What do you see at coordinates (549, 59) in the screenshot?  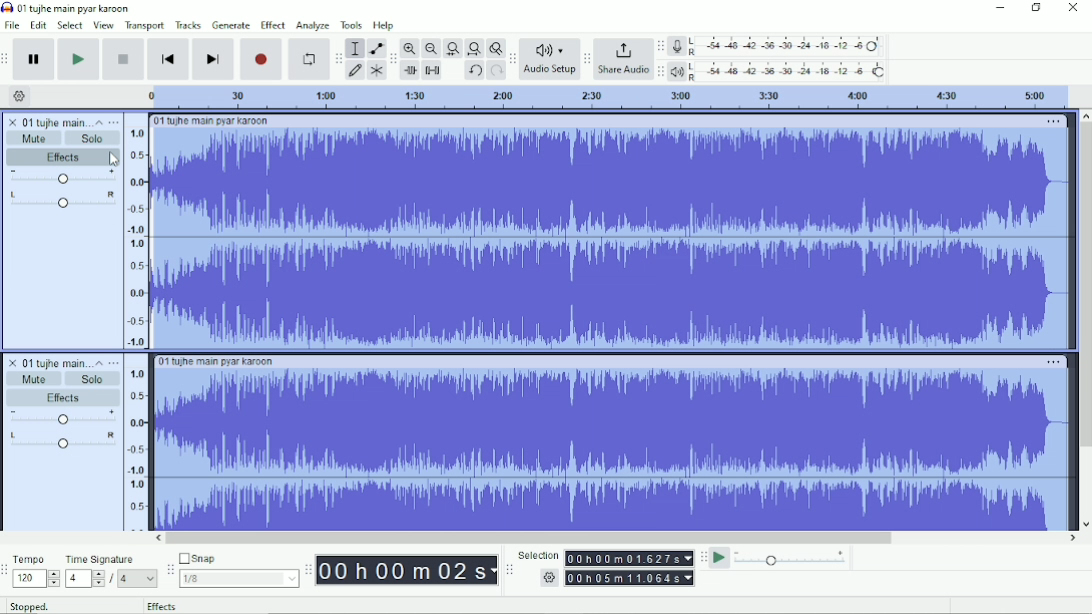 I see `Audio Setup` at bounding box center [549, 59].